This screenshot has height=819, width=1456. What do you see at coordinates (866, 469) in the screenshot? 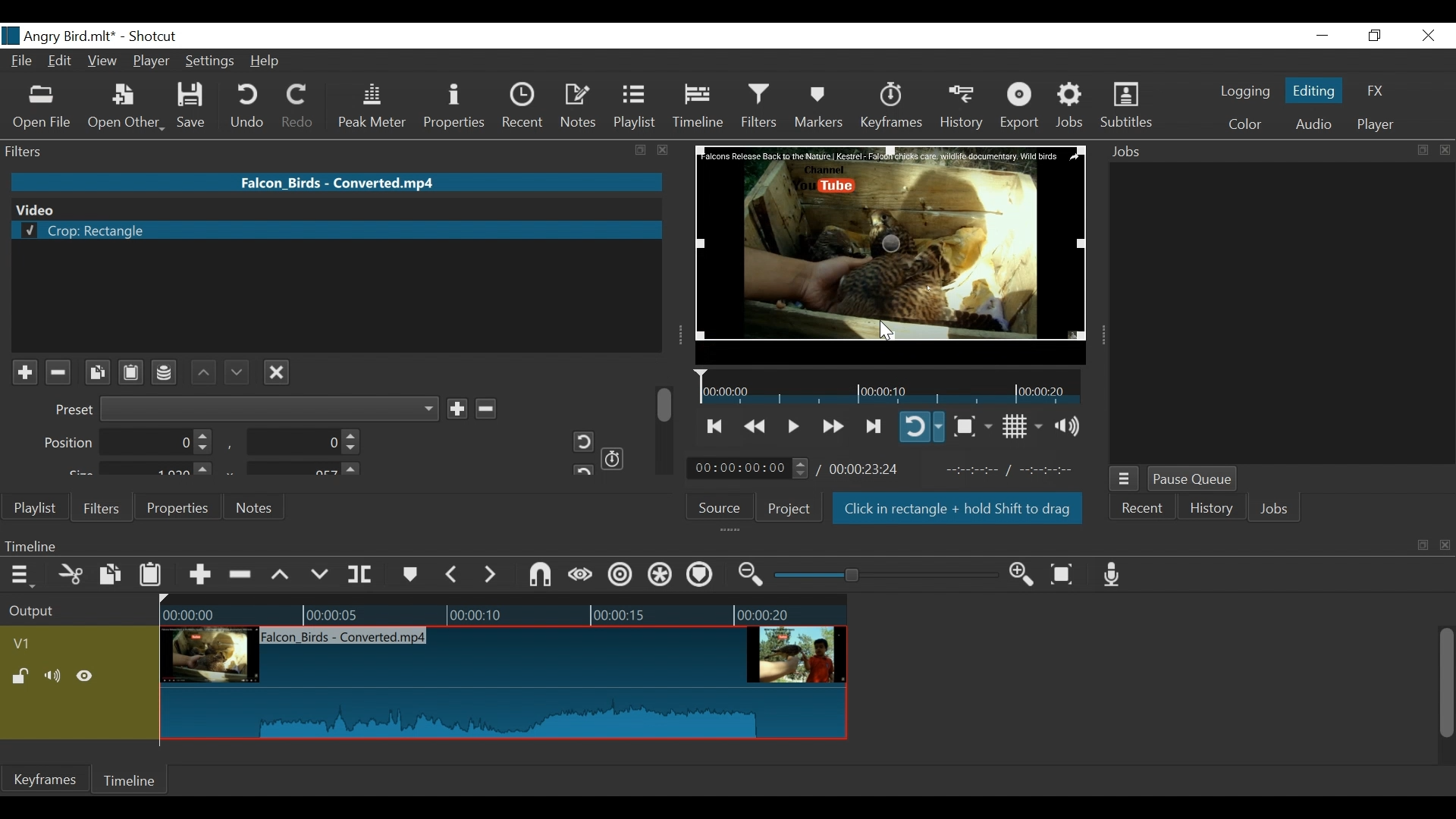
I see `Total Duration` at bounding box center [866, 469].